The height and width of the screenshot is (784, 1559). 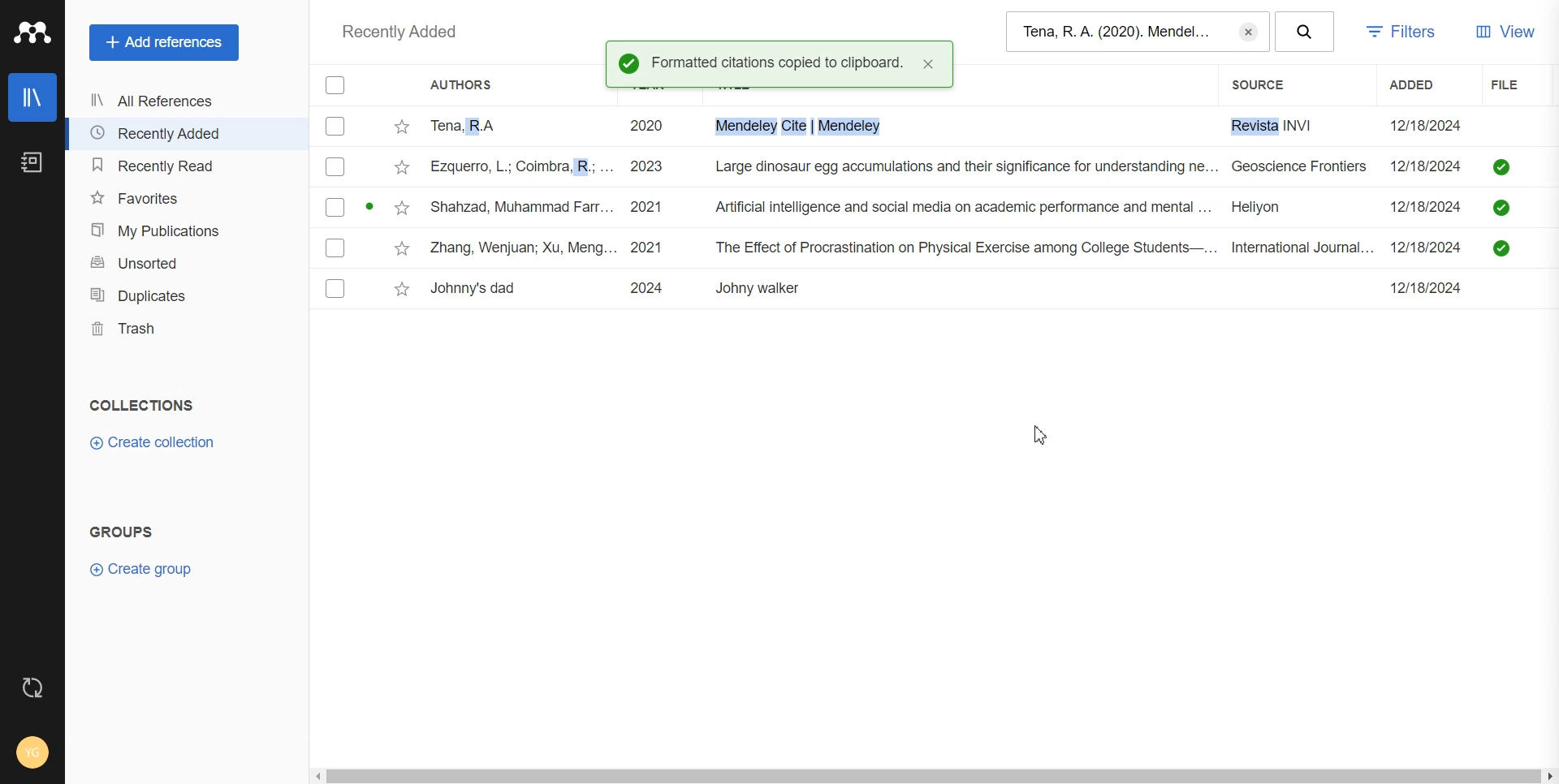 I want to click on Checkbox, so click(x=335, y=209).